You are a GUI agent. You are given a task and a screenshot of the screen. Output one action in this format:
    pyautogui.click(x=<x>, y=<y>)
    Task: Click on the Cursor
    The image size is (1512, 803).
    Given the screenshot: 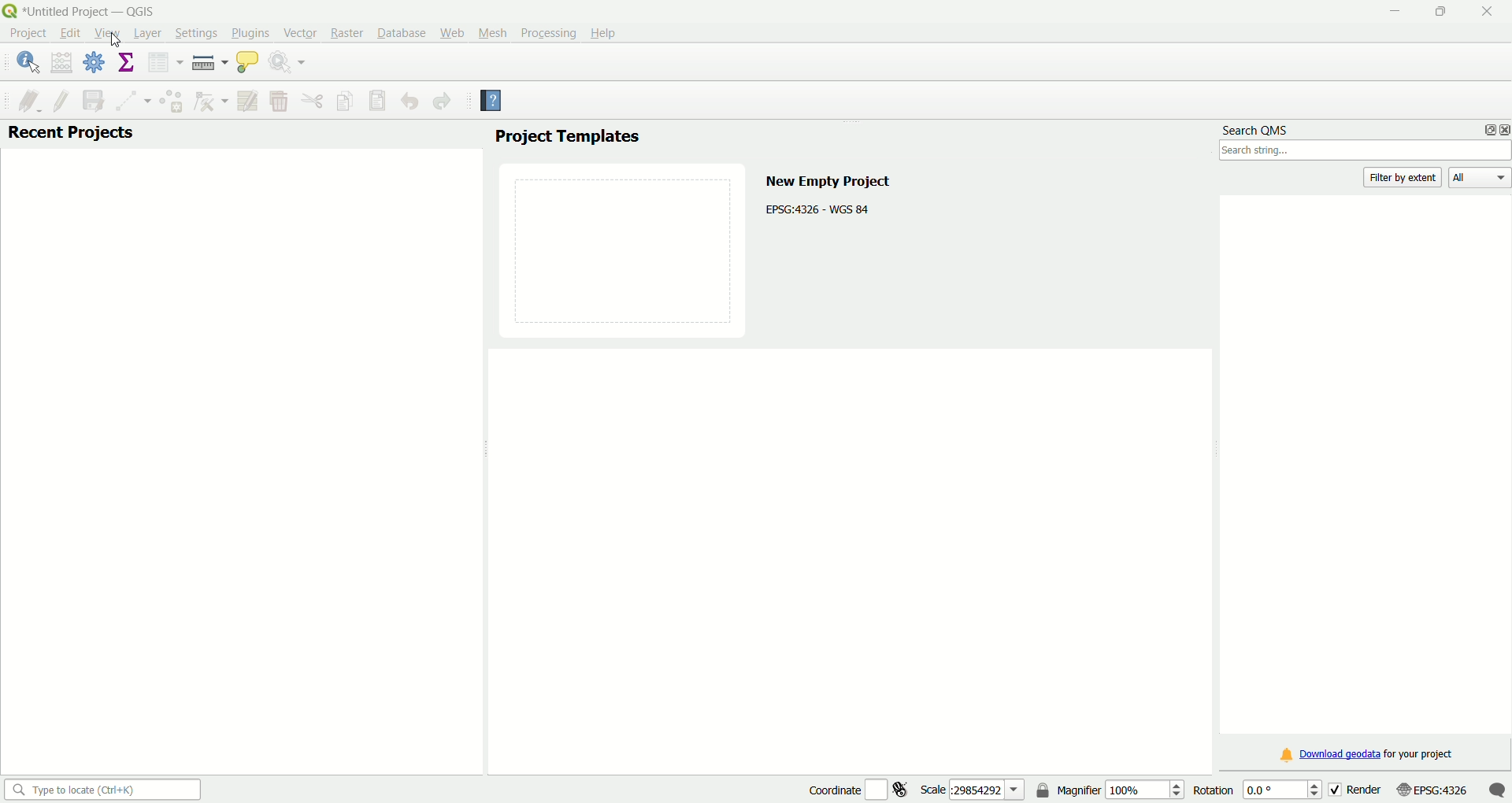 What is the action you would take?
    pyautogui.click(x=113, y=37)
    